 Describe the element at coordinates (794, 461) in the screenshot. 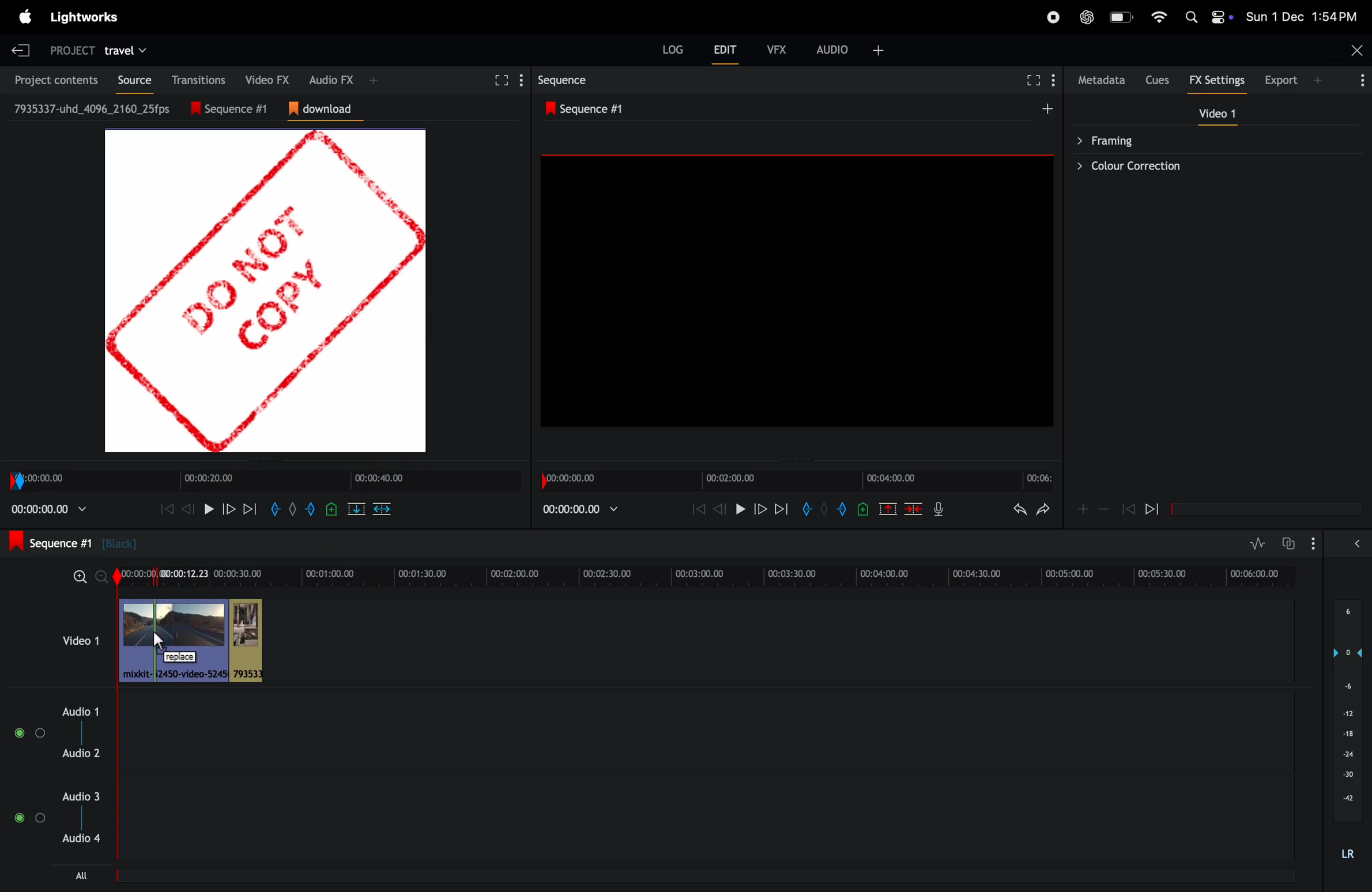

I see `Drag to change dimension` at that location.